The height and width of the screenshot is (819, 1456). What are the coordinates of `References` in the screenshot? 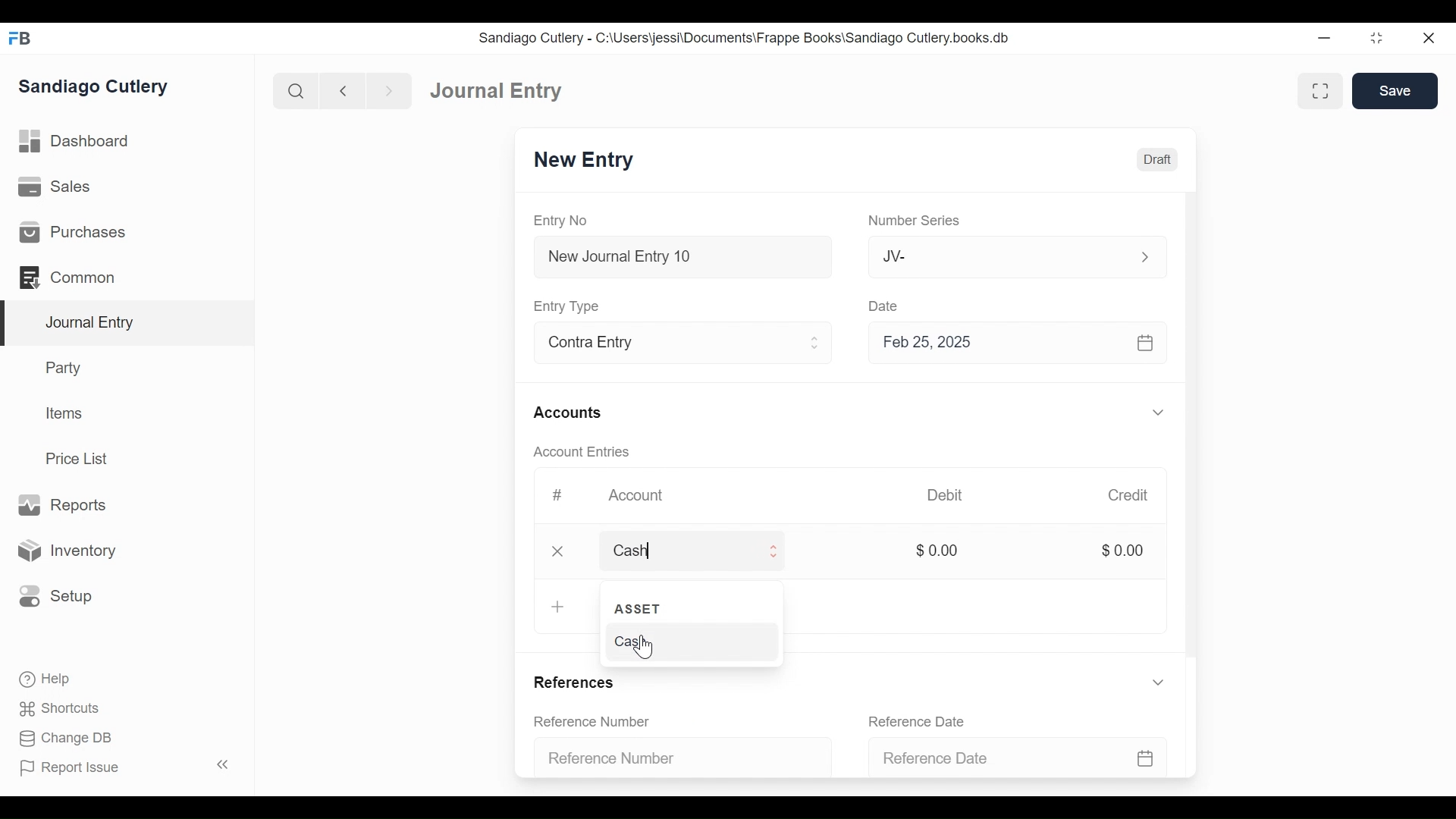 It's located at (575, 682).